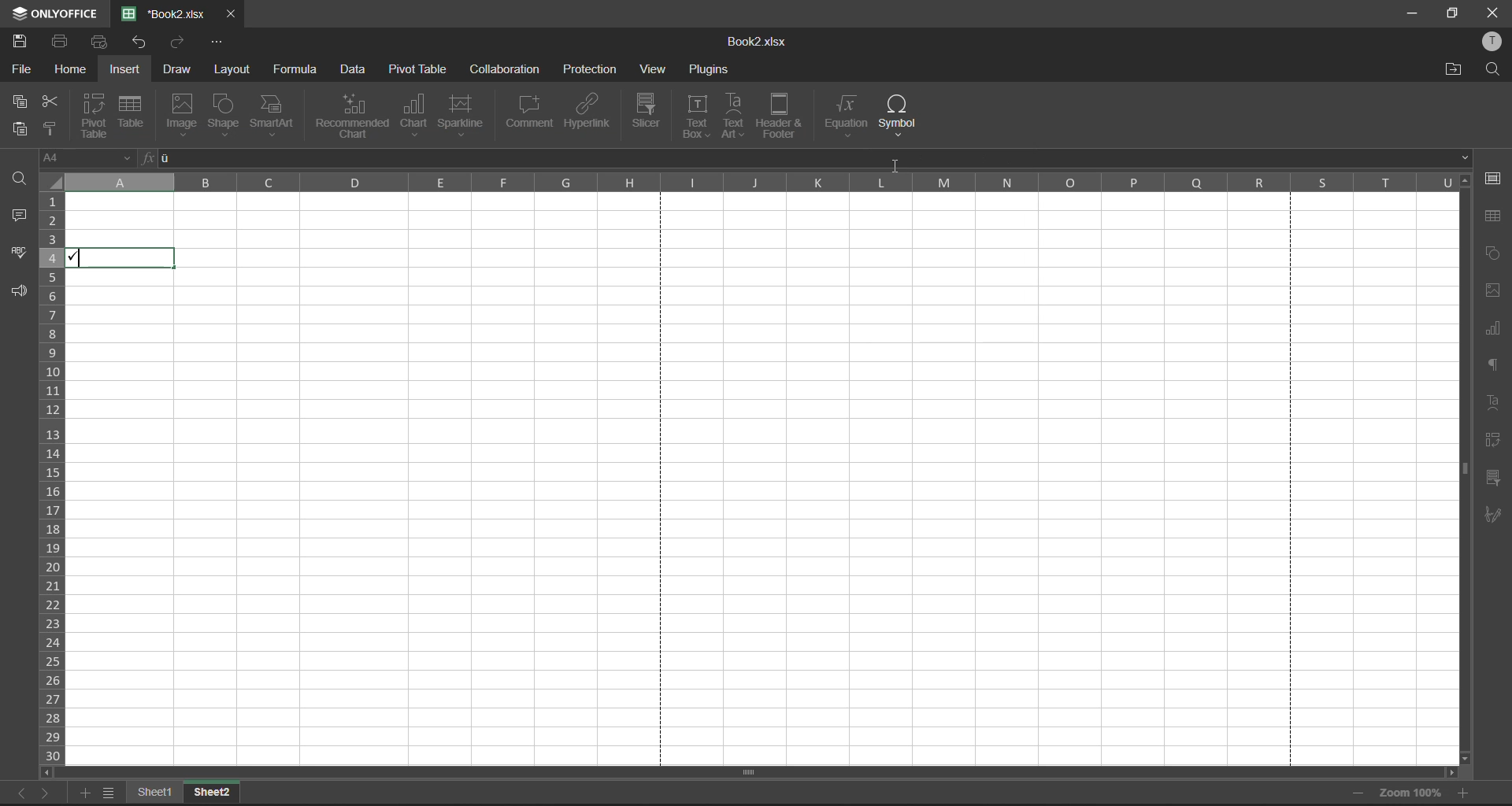  I want to click on view, so click(652, 70).